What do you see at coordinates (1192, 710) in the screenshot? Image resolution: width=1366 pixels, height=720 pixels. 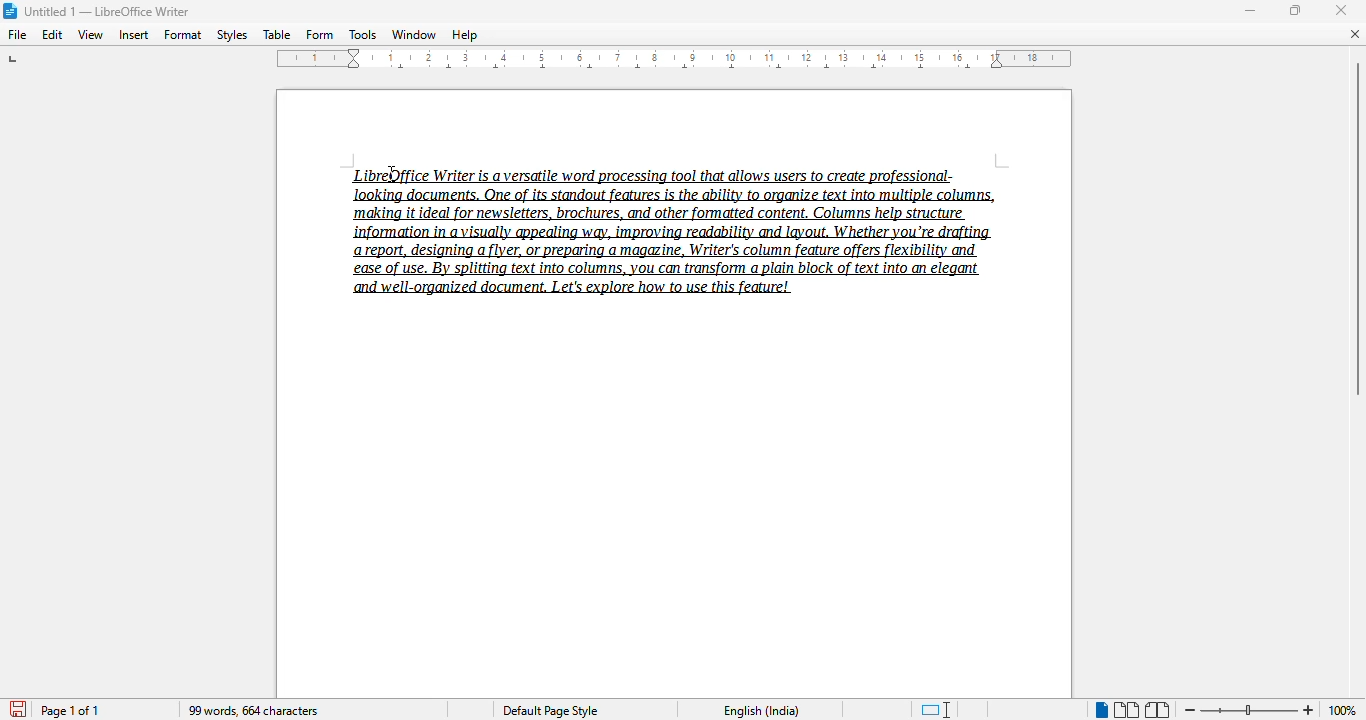 I see `zoom out` at bounding box center [1192, 710].